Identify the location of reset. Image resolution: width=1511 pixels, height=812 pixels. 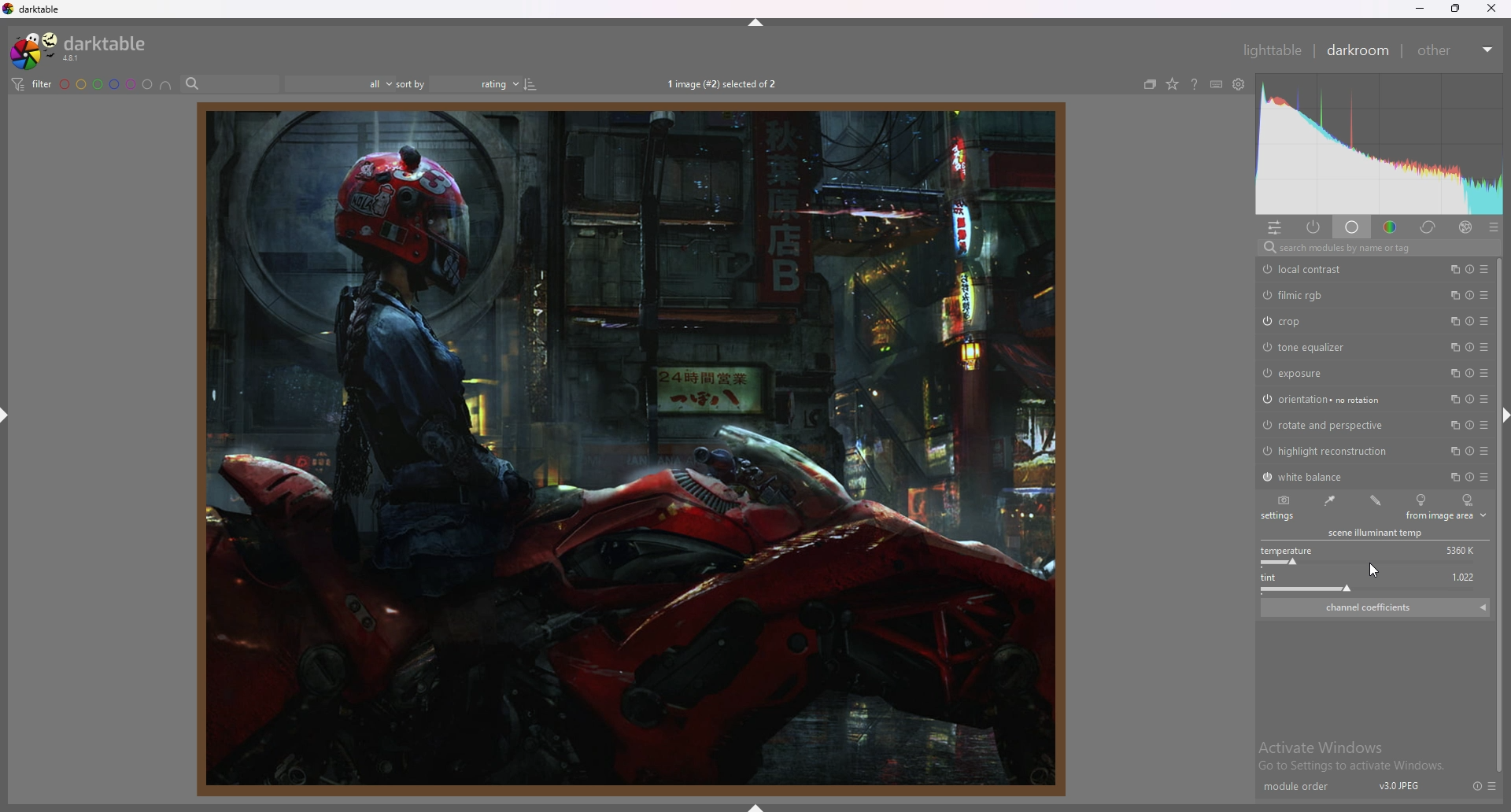
(1469, 477).